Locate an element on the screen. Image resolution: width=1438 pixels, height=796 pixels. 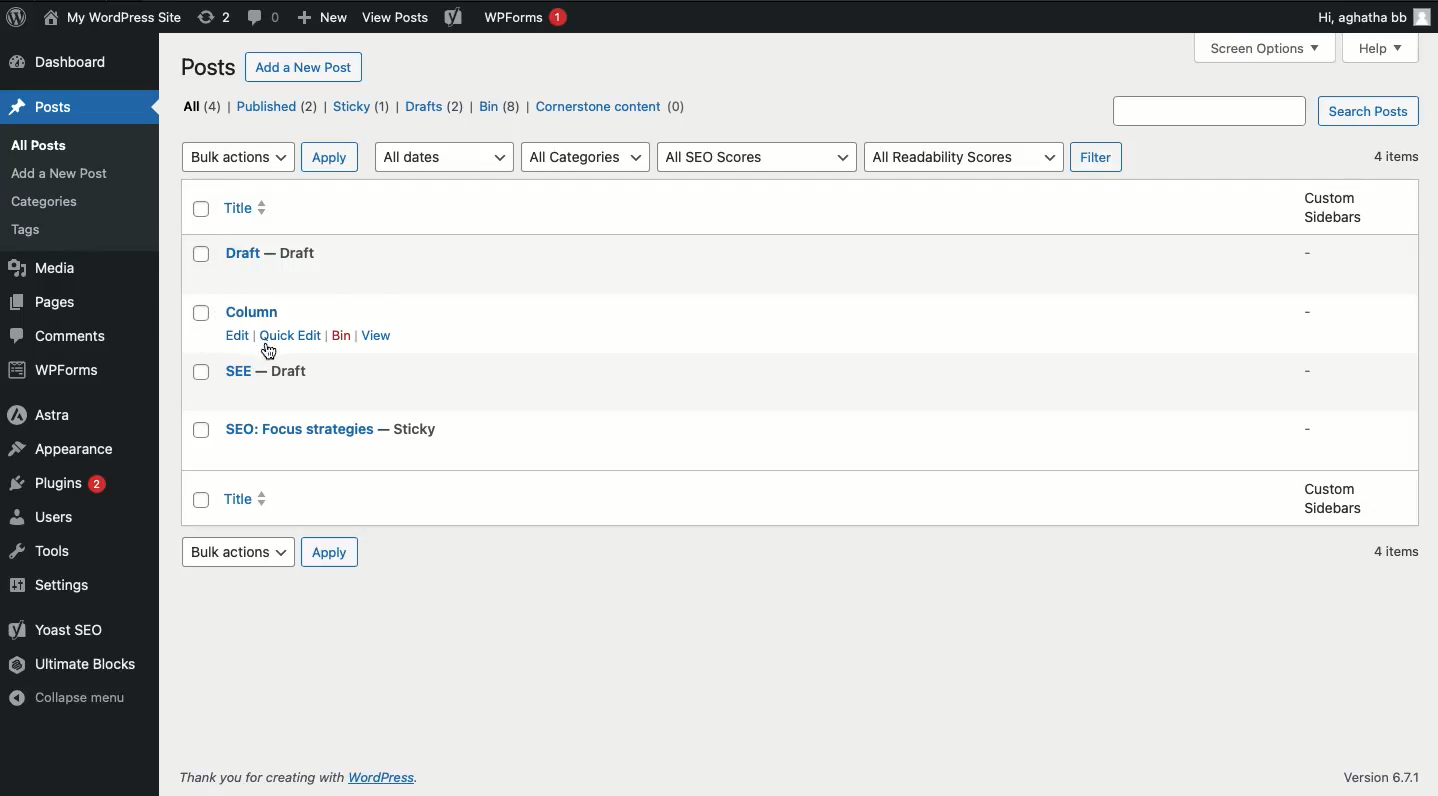
Comments is located at coordinates (266, 18).